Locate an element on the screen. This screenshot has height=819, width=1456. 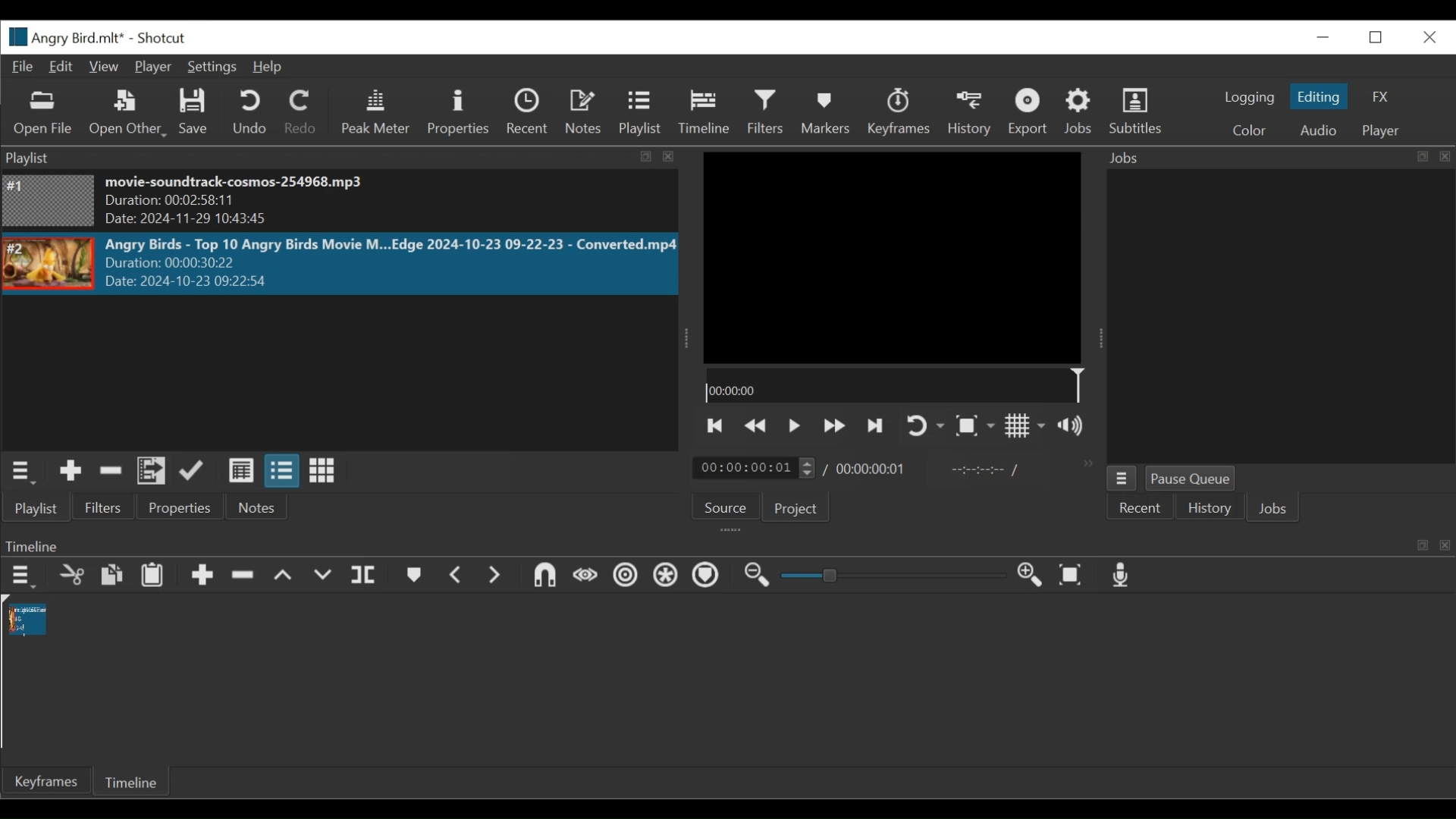
Toggle on  is located at coordinates (927, 425).